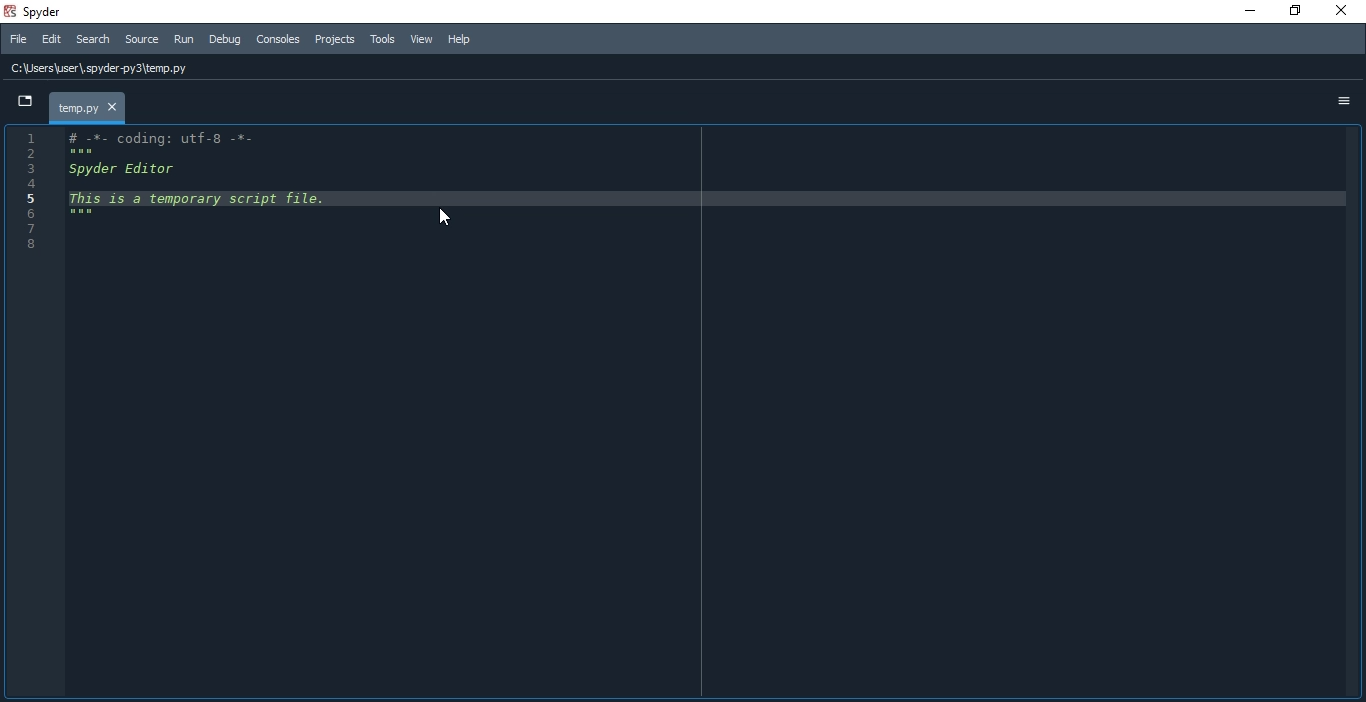 The height and width of the screenshot is (702, 1366). Describe the element at coordinates (224, 40) in the screenshot. I see `Debug` at that location.